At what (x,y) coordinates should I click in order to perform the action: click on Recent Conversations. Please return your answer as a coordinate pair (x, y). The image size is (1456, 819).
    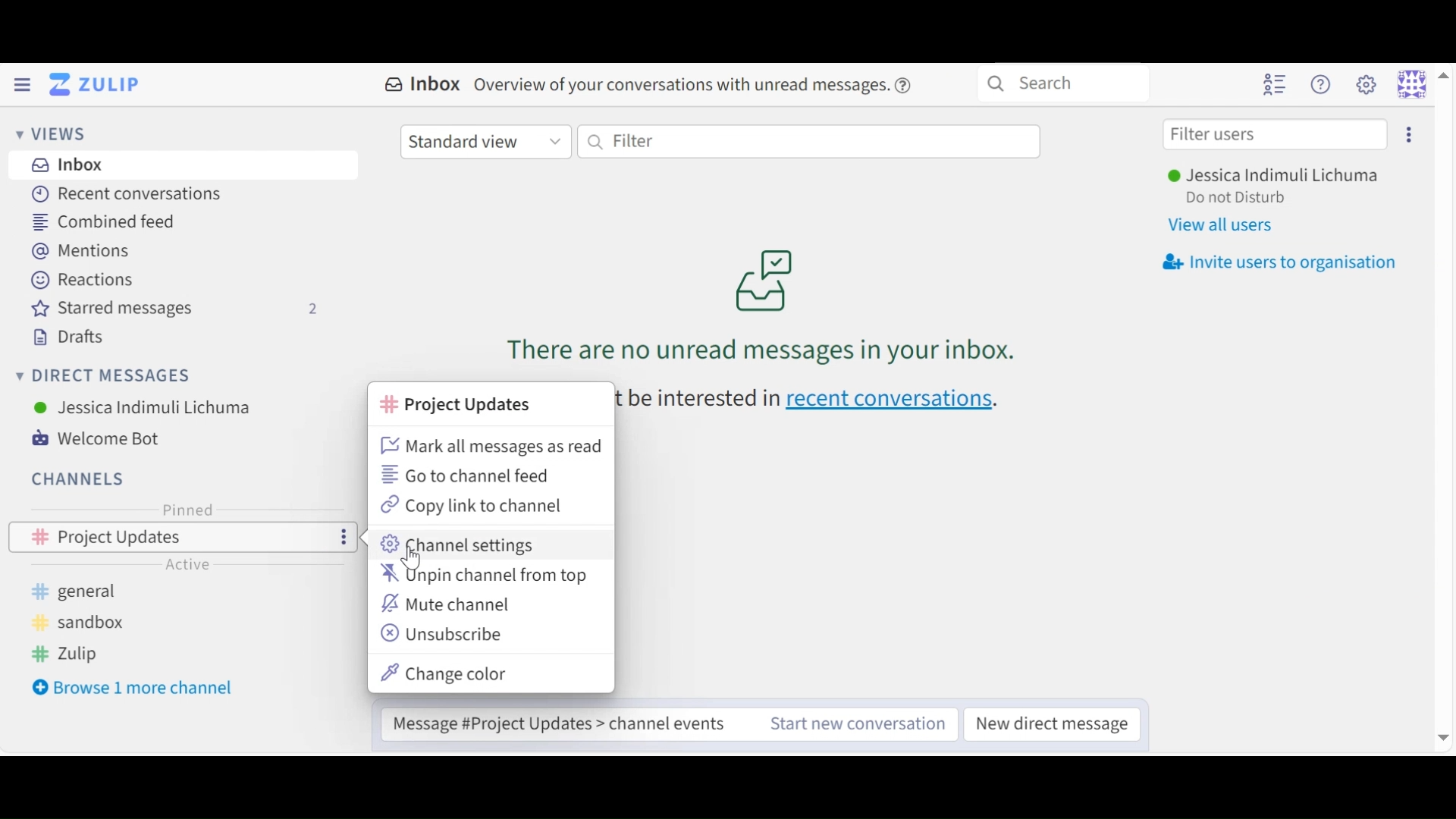
    Looking at the image, I should click on (135, 194).